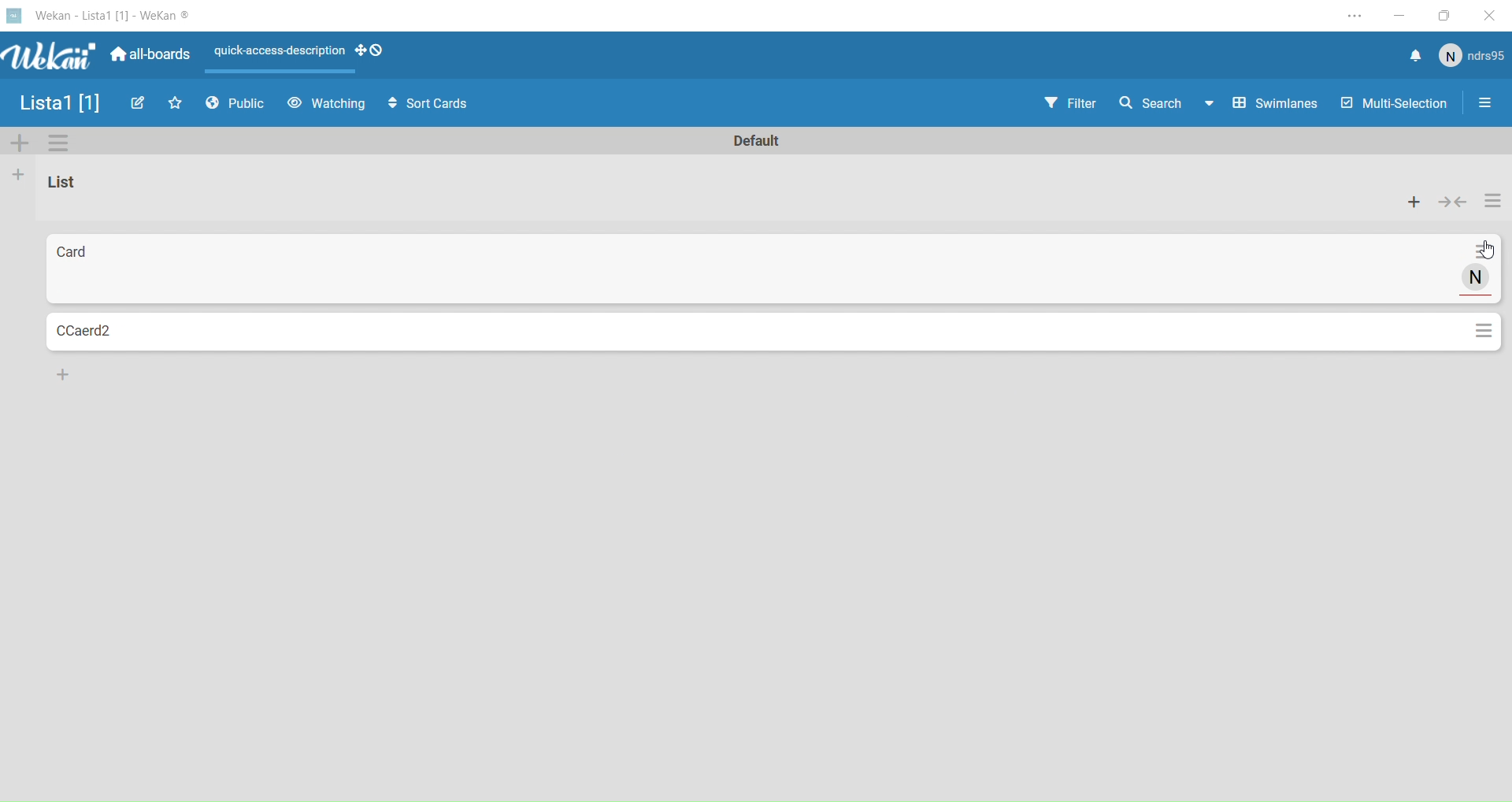 The height and width of the screenshot is (802, 1512). What do you see at coordinates (63, 187) in the screenshot?
I see `List` at bounding box center [63, 187].